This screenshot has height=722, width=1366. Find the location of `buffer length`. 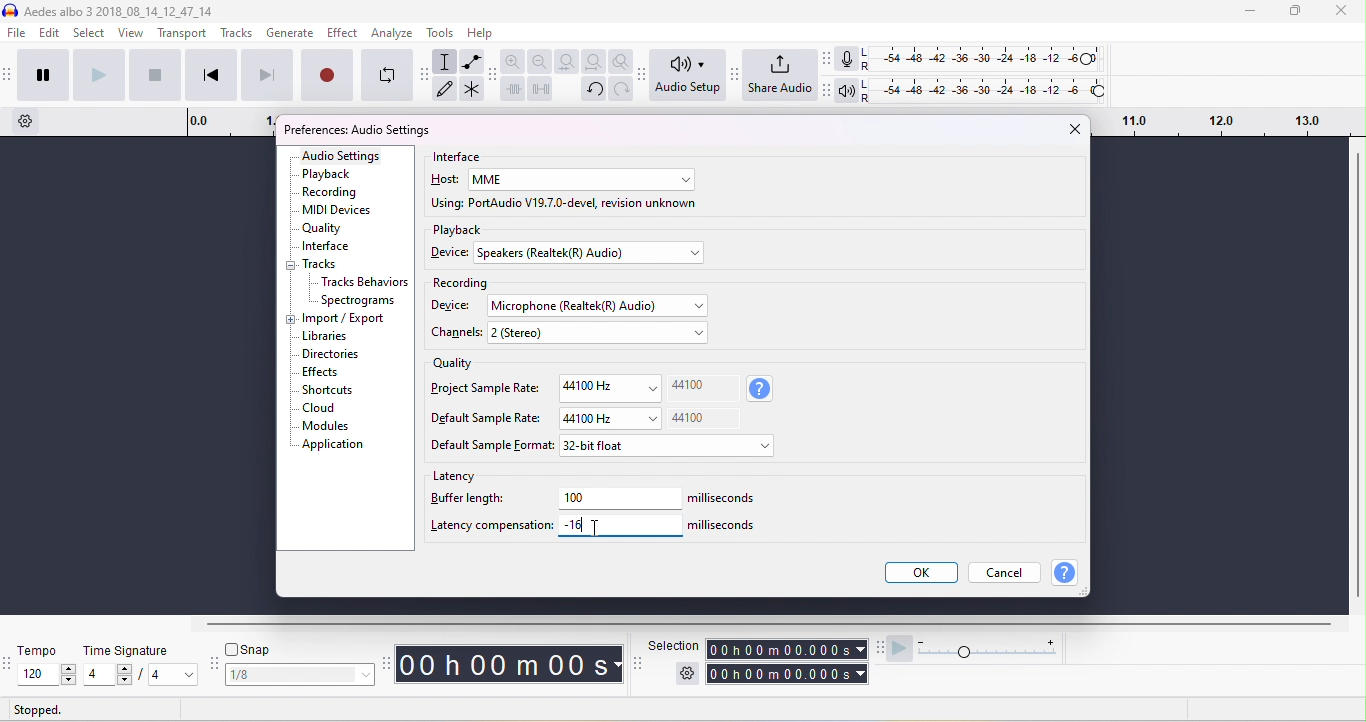

buffer length is located at coordinates (470, 499).